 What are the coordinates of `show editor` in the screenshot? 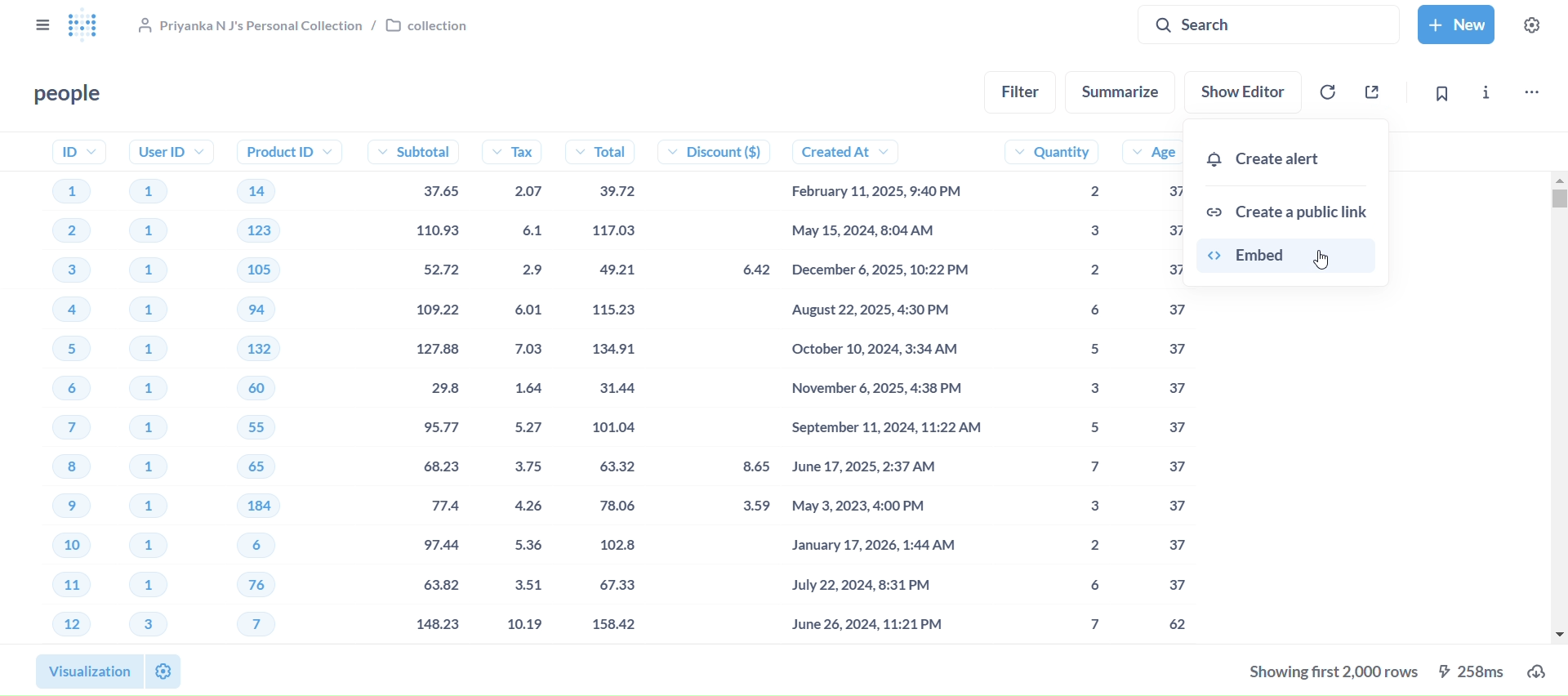 It's located at (1243, 92).